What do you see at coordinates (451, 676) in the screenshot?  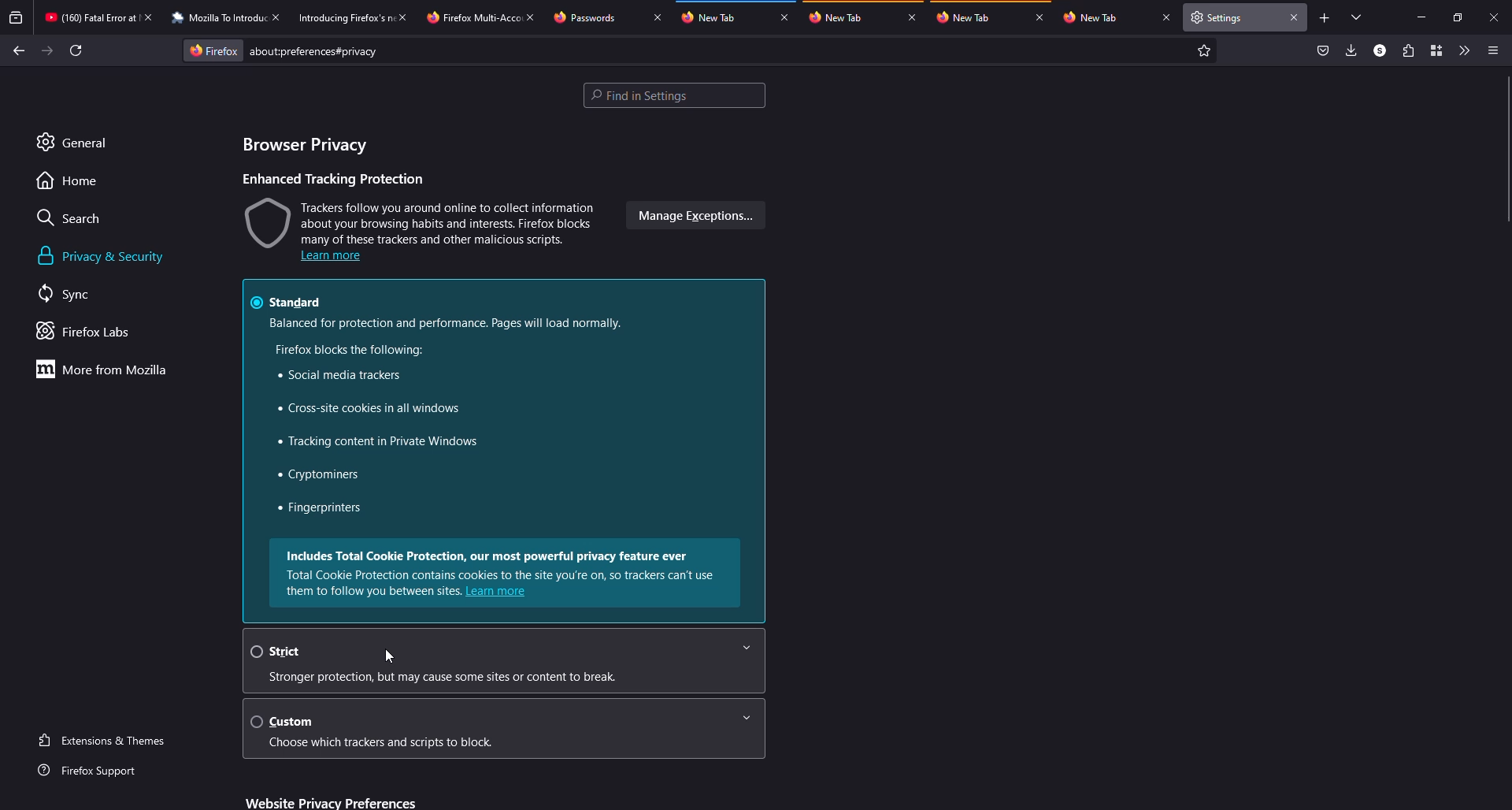 I see `info` at bounding box center [451, 676].